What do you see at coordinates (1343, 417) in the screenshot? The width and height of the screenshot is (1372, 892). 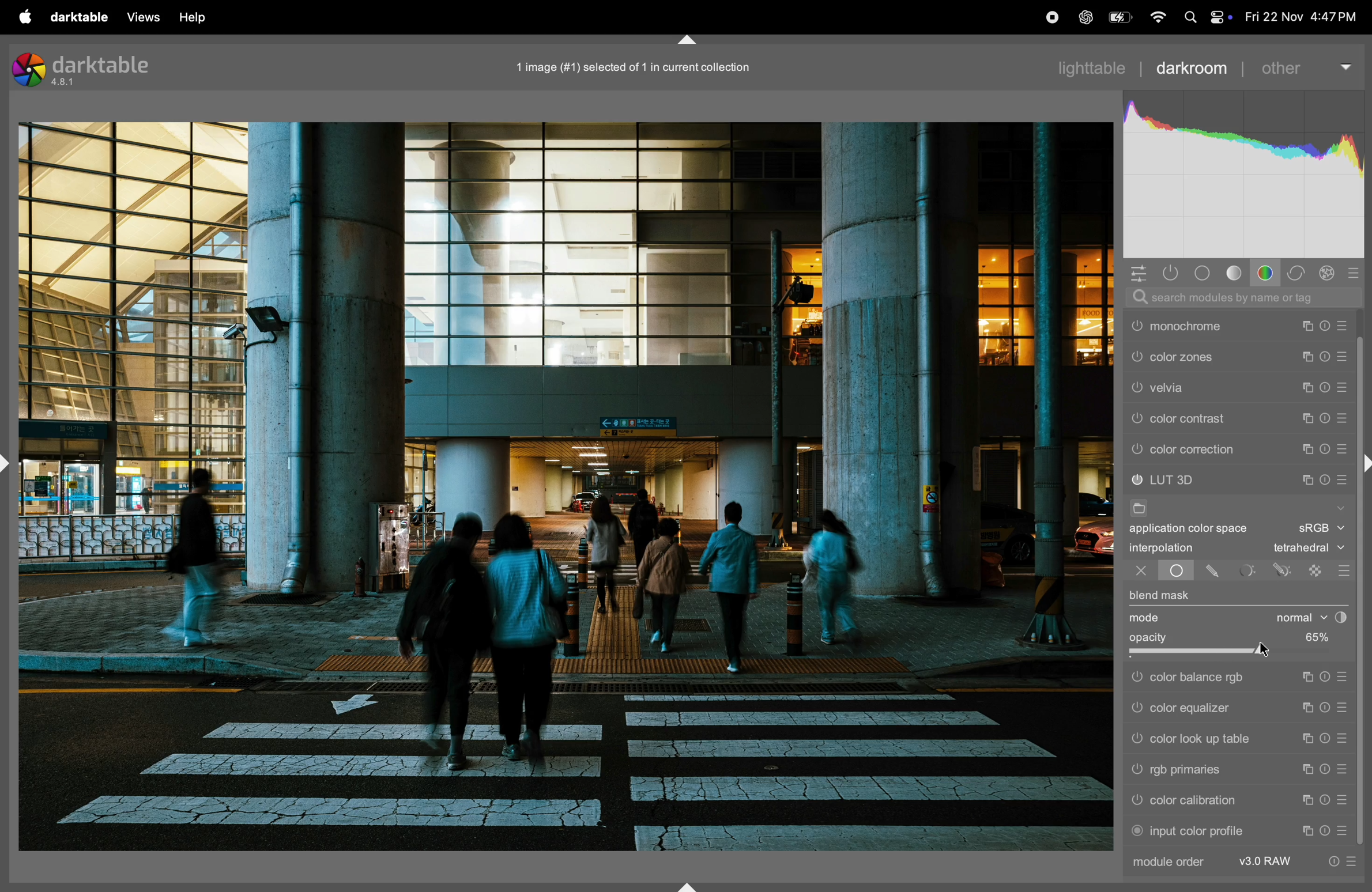 I see `presets` at bounding box center [1343, 417].